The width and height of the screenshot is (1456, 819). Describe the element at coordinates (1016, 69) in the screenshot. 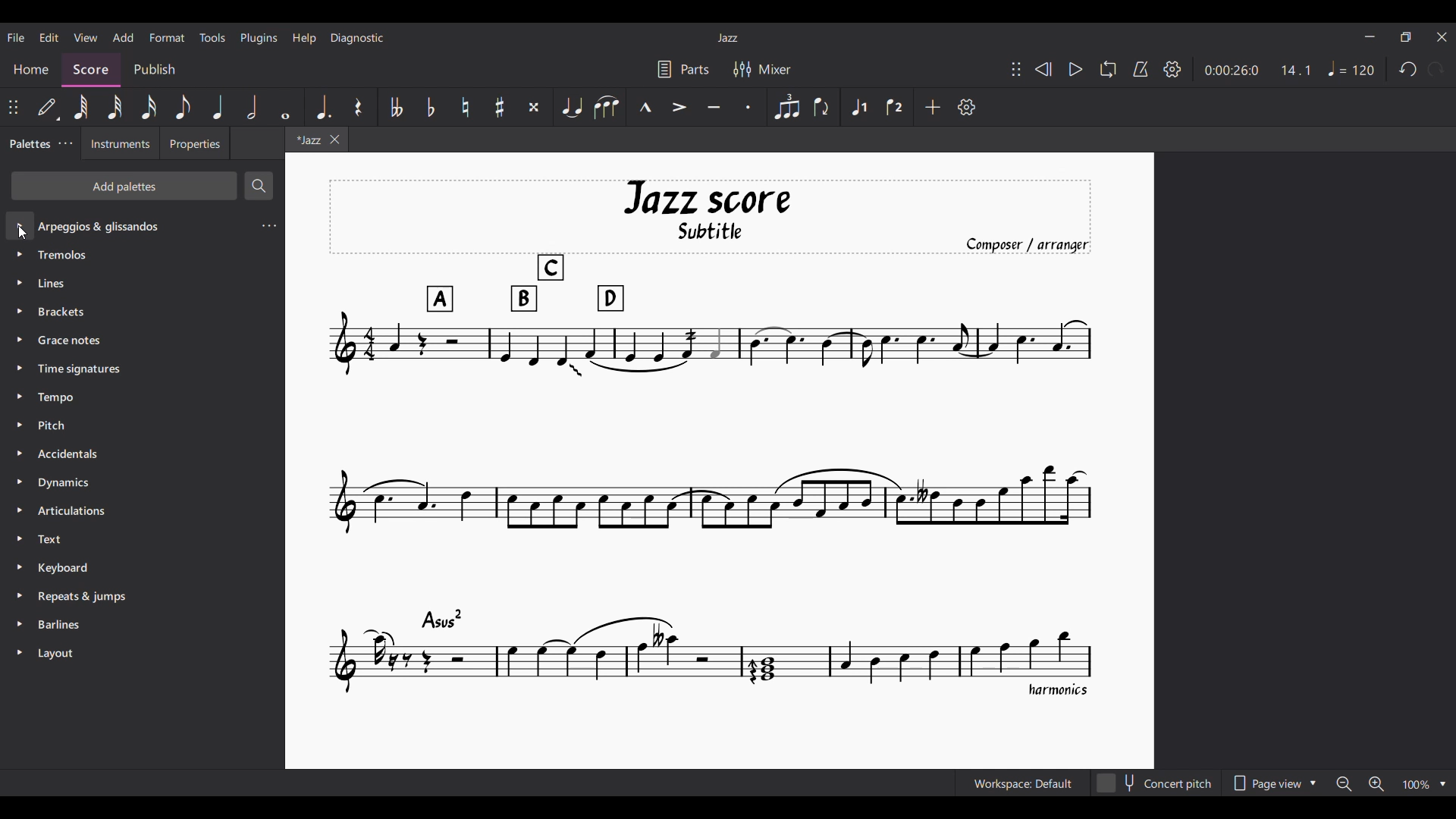

I see `Change position` at that location.